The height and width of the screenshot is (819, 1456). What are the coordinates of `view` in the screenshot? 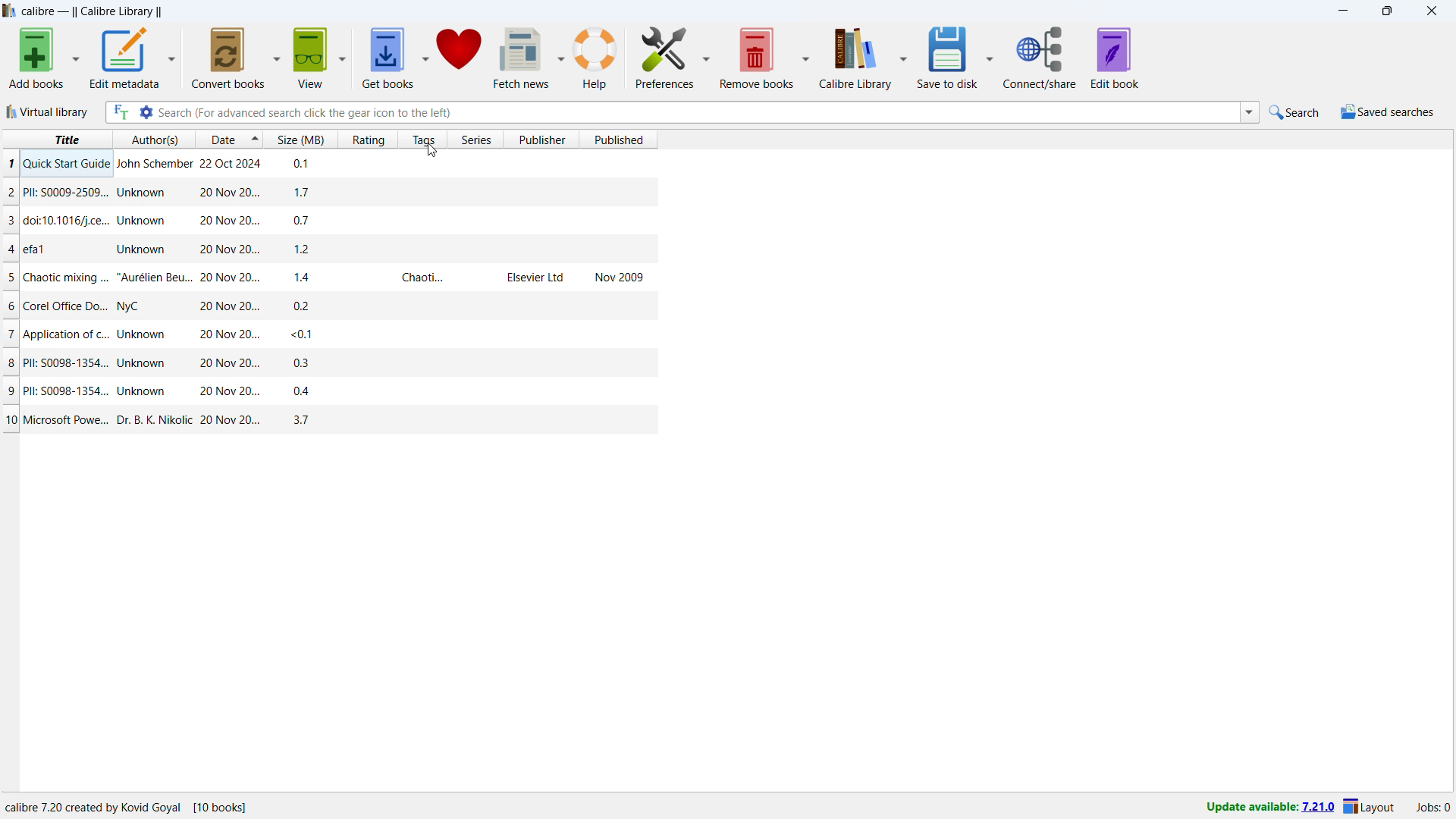 It's located at (310, 58).